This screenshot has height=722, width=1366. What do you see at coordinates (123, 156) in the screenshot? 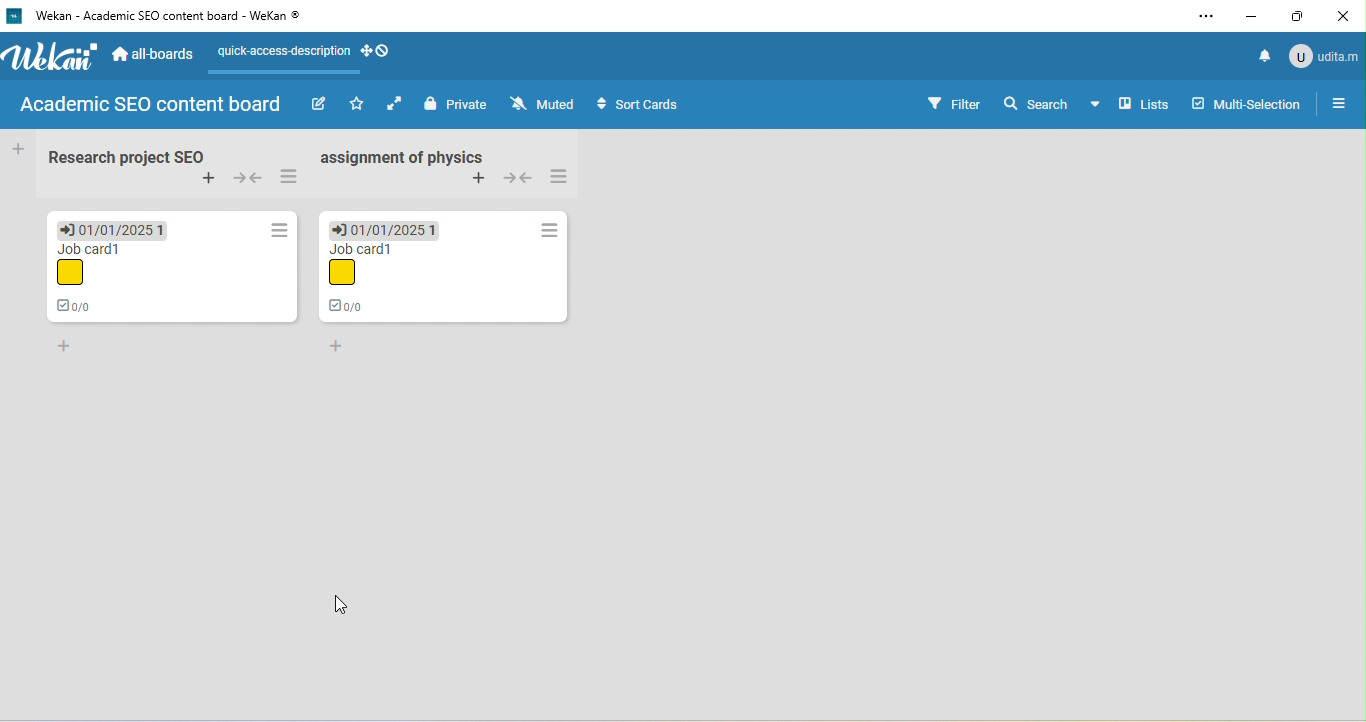
I see `research project seo` at bounding box center [123, 156].